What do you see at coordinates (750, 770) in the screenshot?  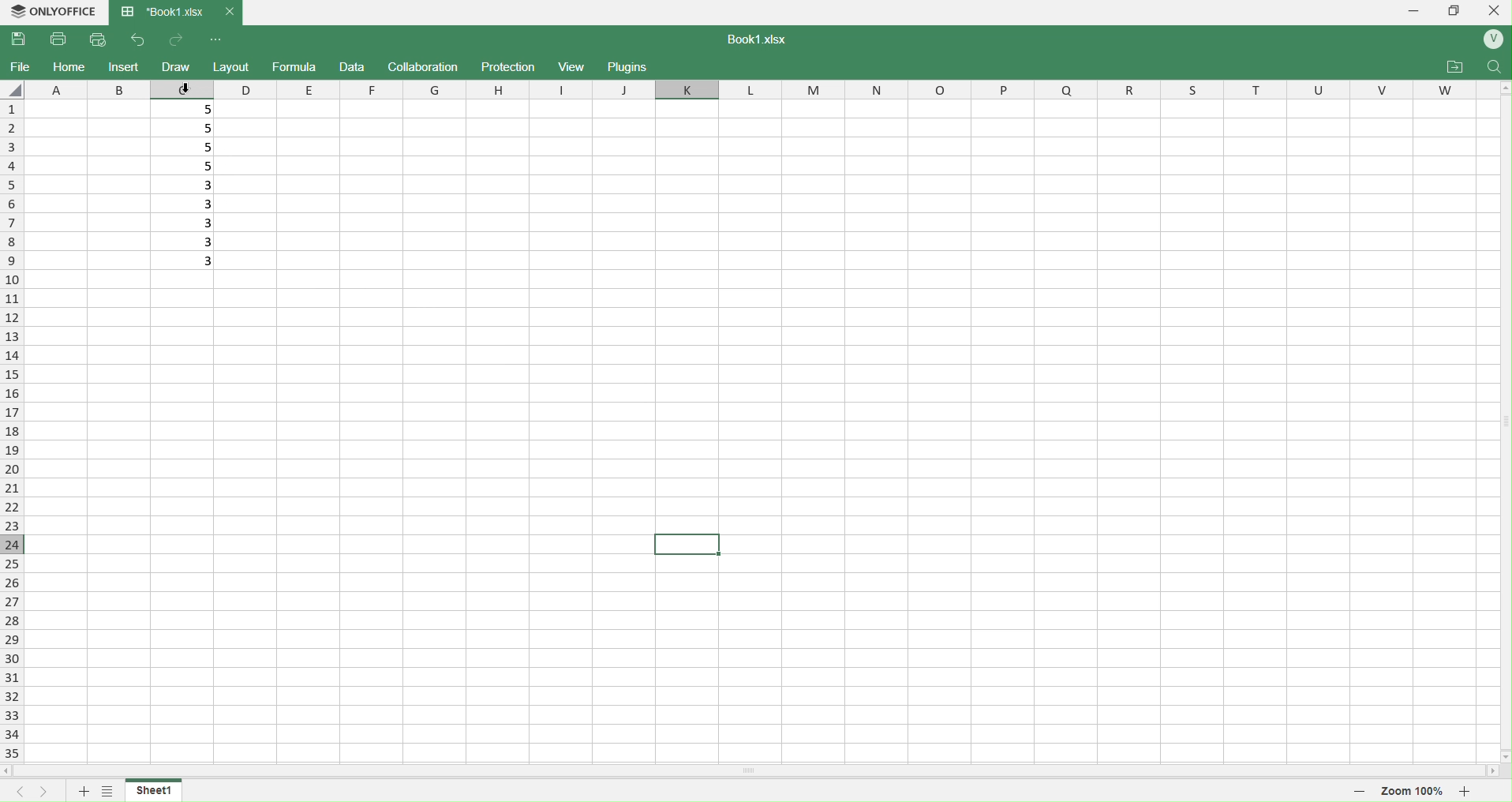 I see `Scrollbar` at bounding box center [750, 770].